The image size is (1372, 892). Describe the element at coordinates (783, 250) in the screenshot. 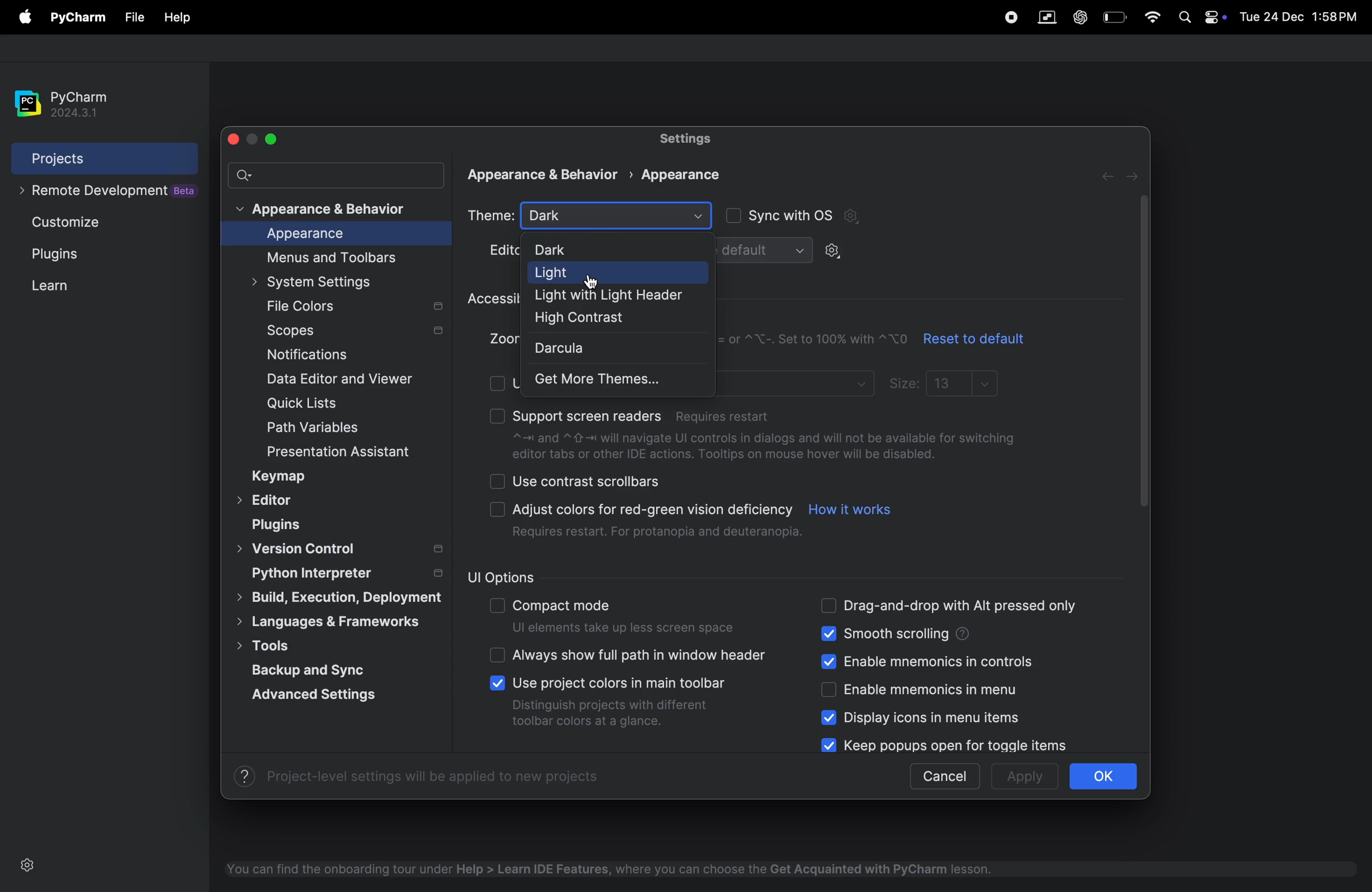

I see `default` at that location.